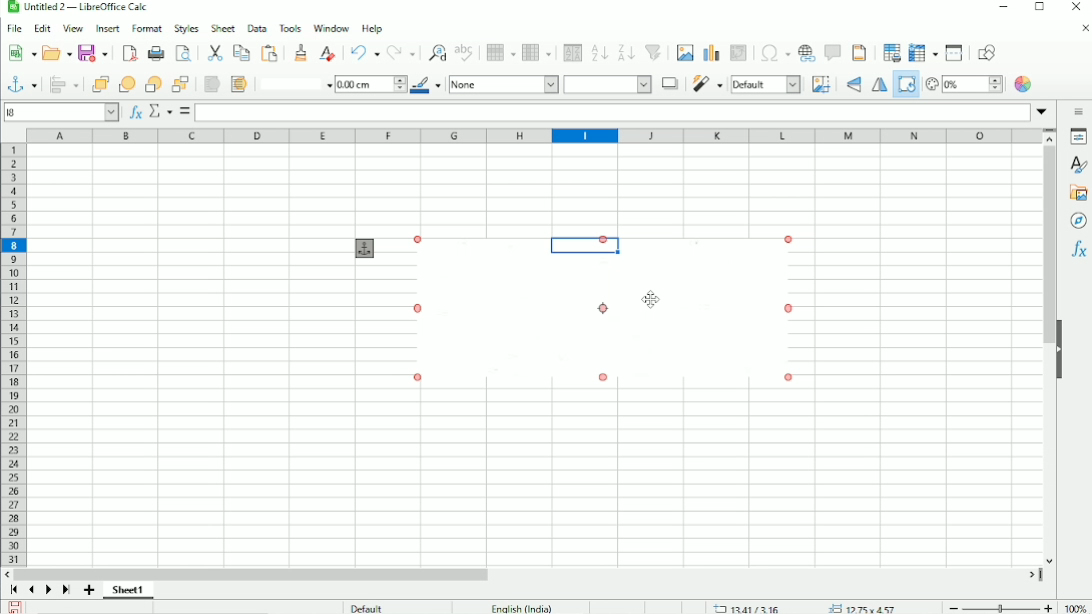 This screenshot has height=614, width=1092. What do you see at coordinates (684, 53) in the screenshot?
I see `Insert image` at bounding box center [684, 53].